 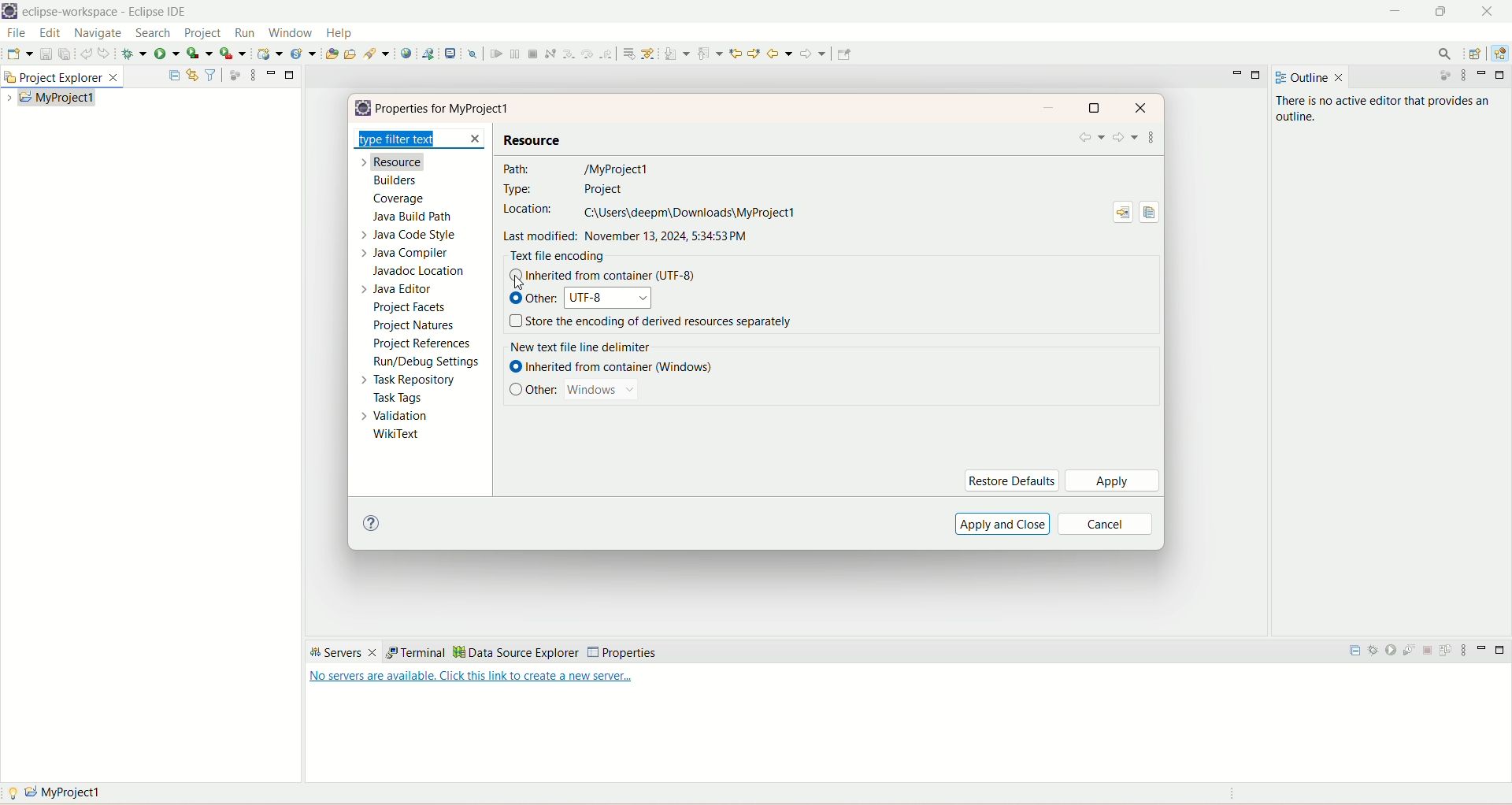 What do you see at coordinates (424, 364) in the screenshot?
I see `run settings` at bounding box center [424, 364].